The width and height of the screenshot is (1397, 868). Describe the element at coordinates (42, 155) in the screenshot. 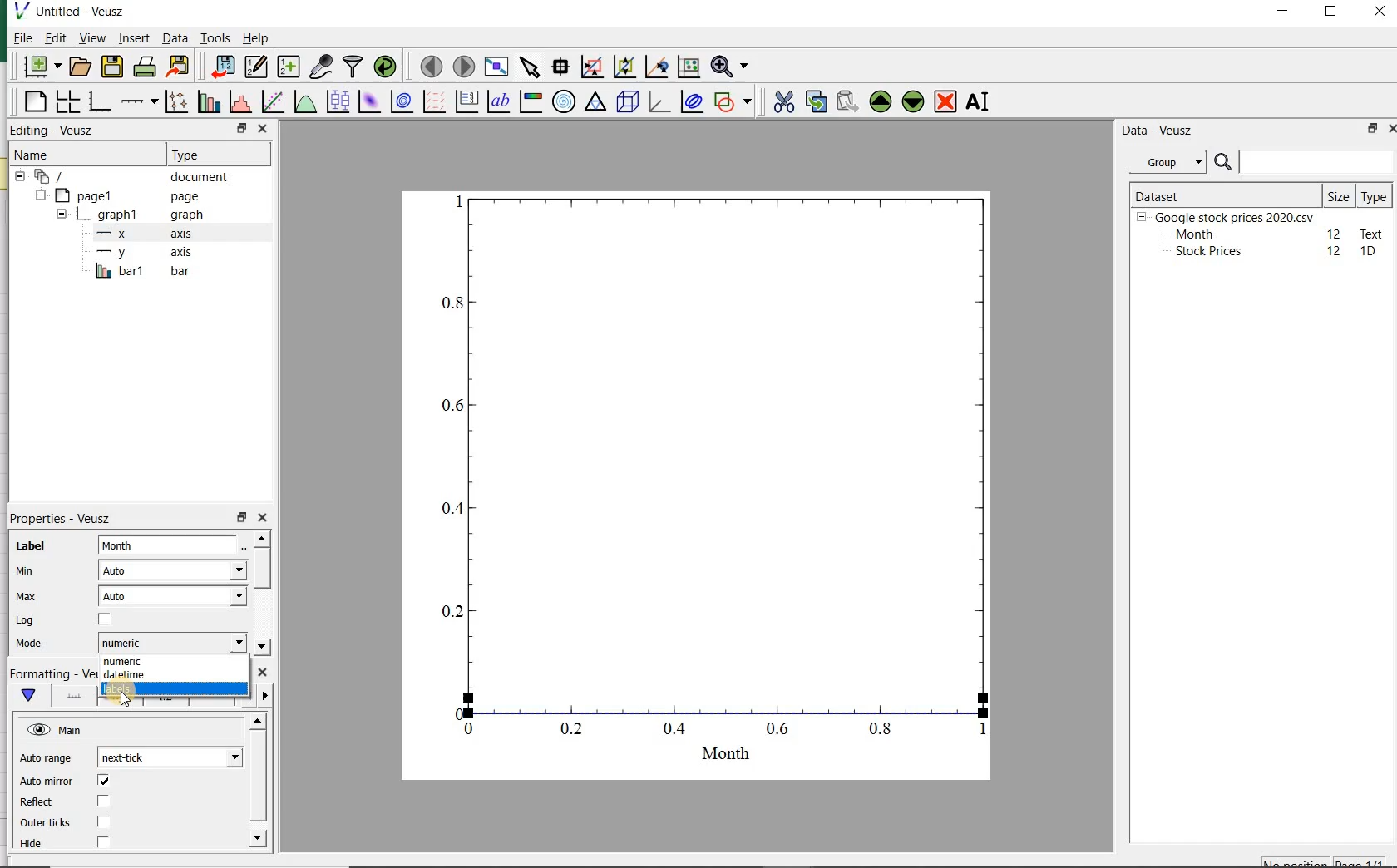

I see `Name` at that location.